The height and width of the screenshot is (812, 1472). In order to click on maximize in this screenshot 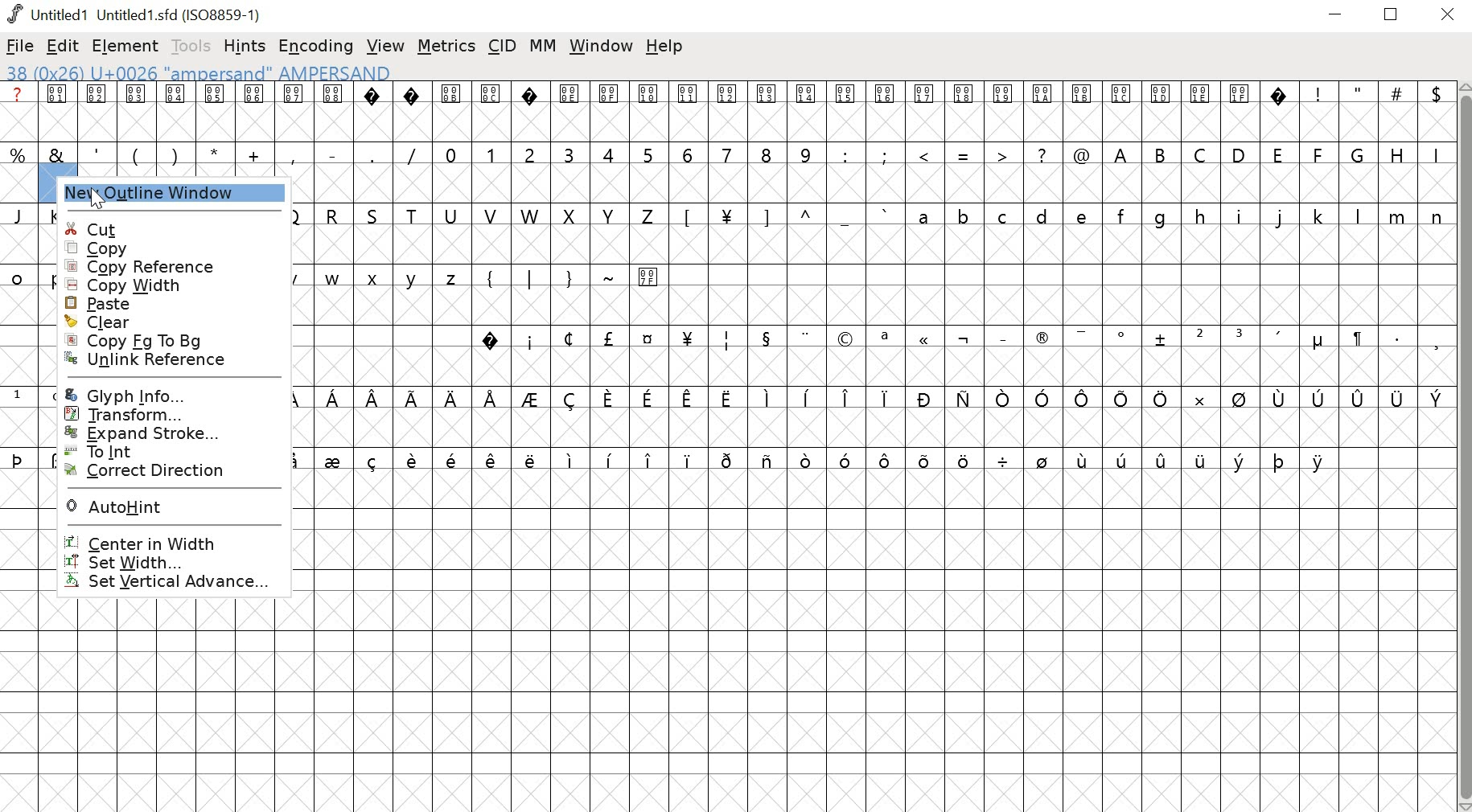, I will do `click(1394, 15)`.